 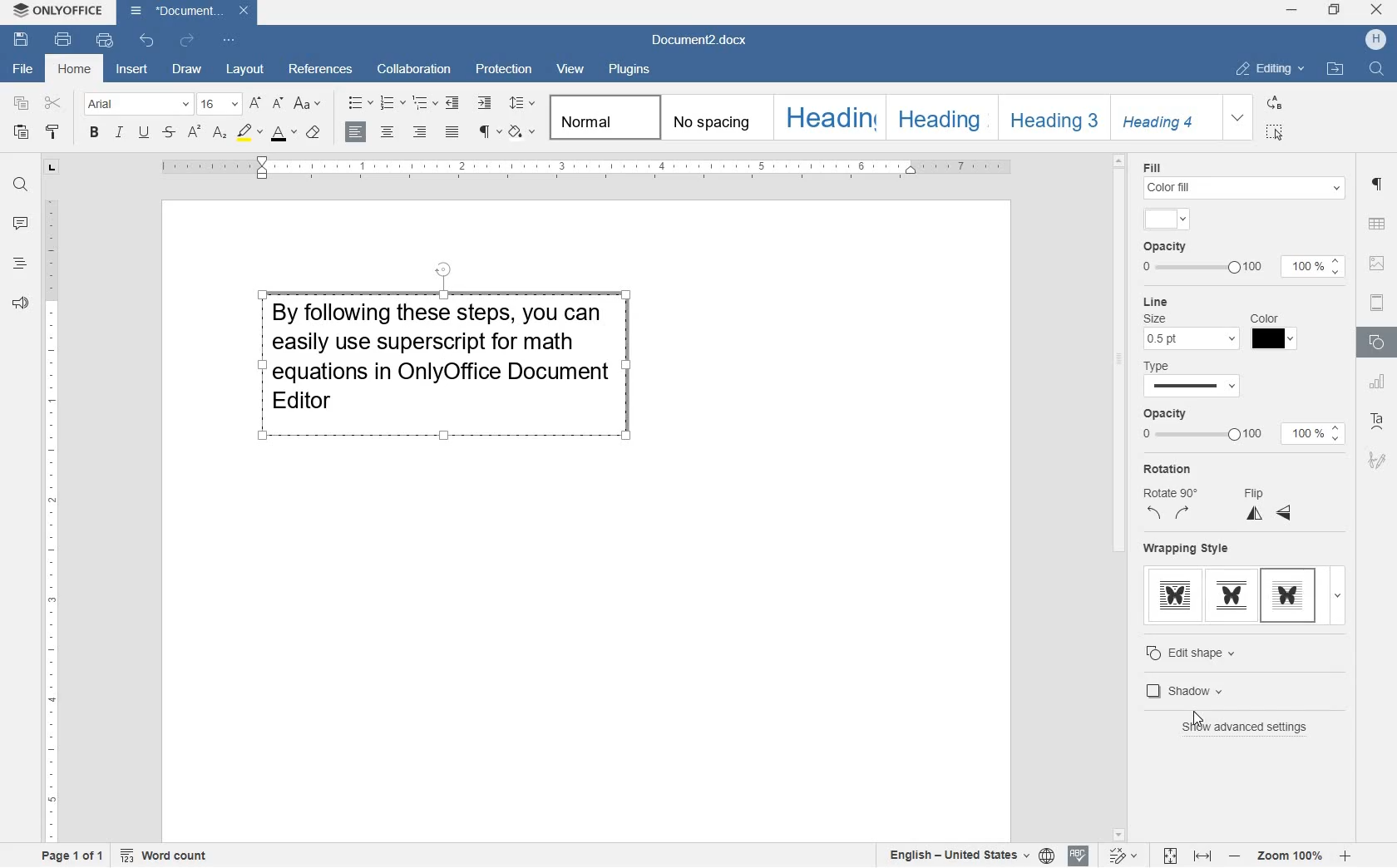 What do you see at coordinates (1190, 323) in the screenshot?
I see `line size` at bounding box center [1190, 323].